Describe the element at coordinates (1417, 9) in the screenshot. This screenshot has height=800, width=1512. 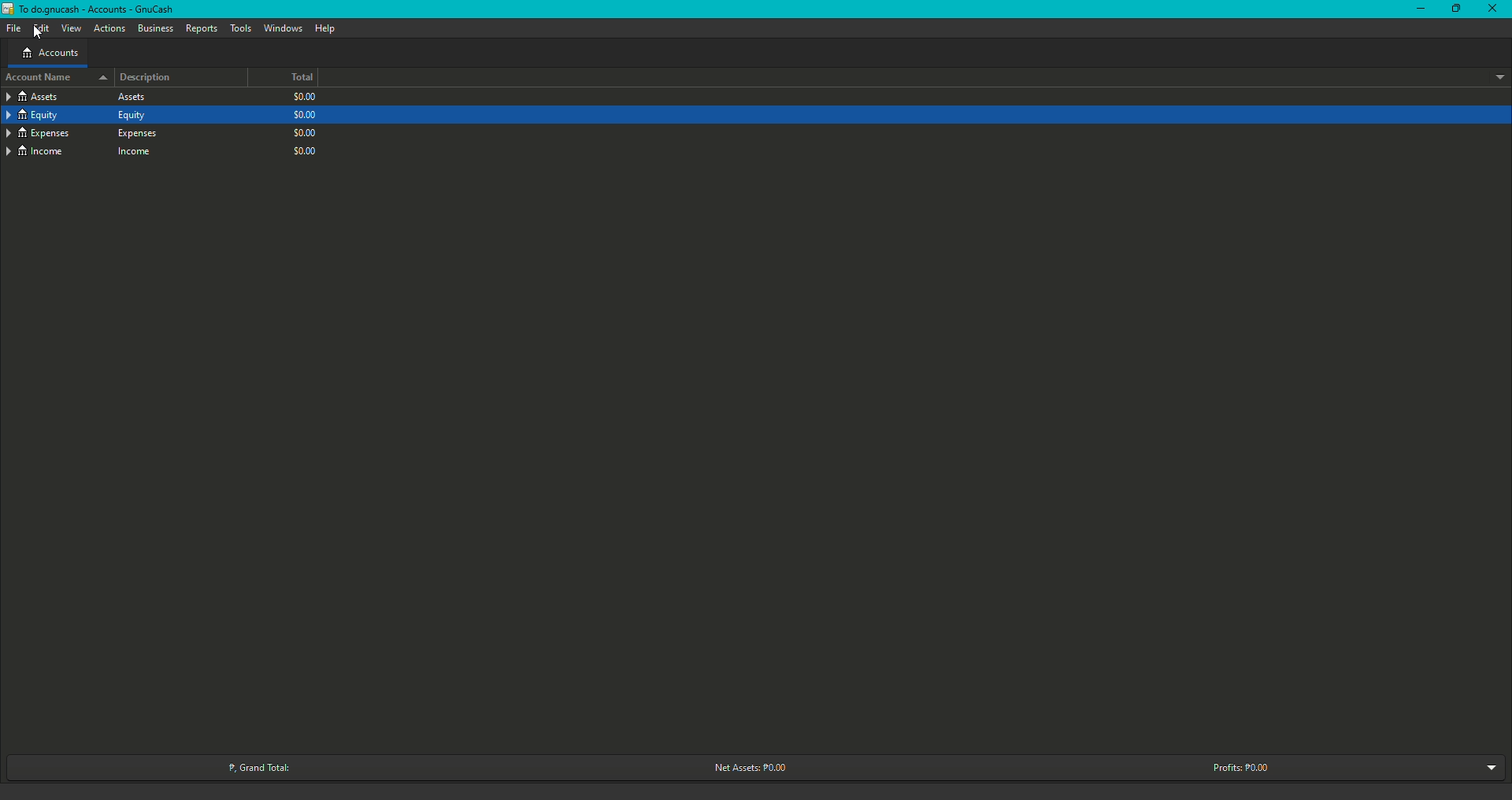
I see `Minimize` at that location.